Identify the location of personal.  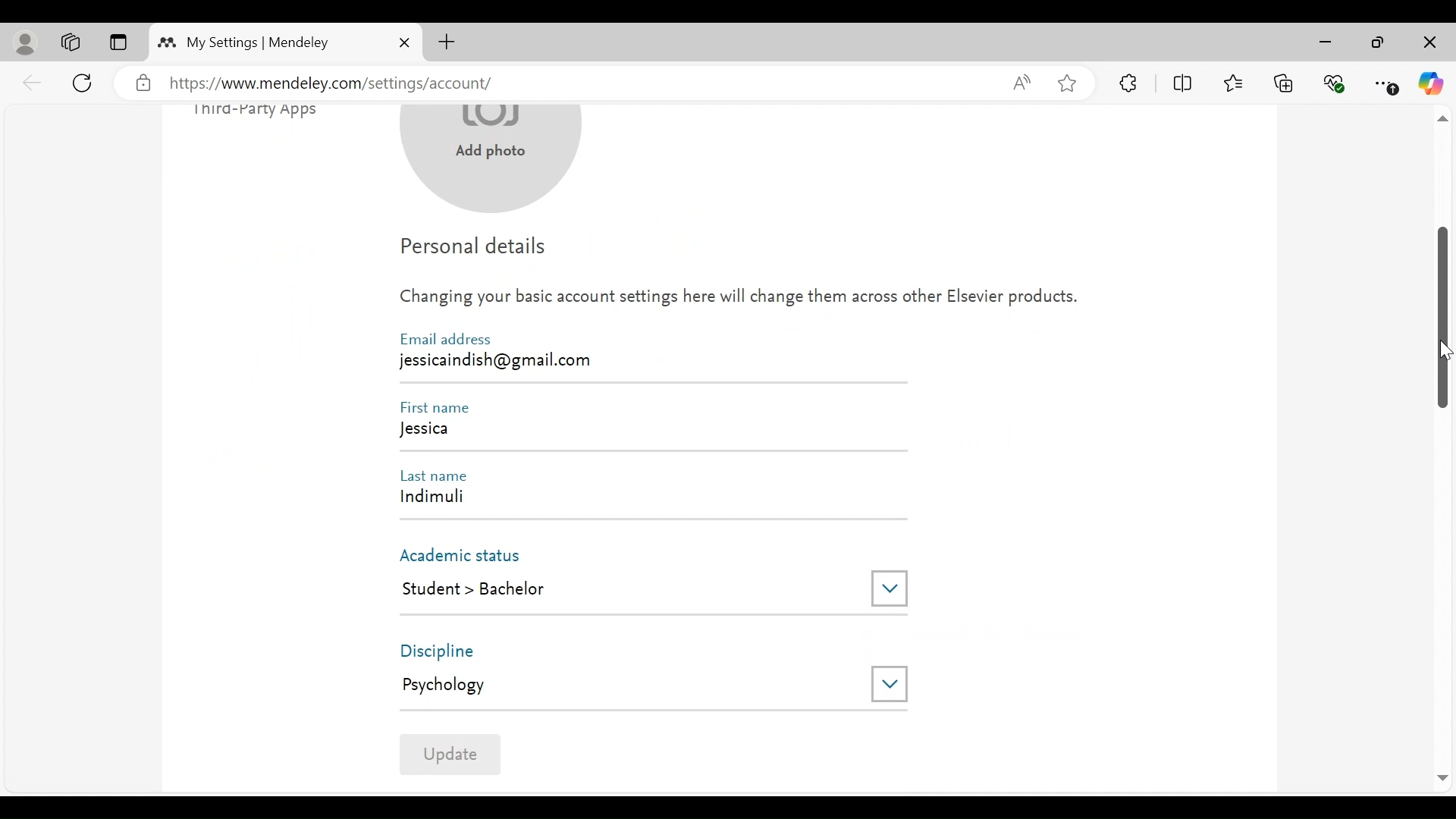
(27, 43).